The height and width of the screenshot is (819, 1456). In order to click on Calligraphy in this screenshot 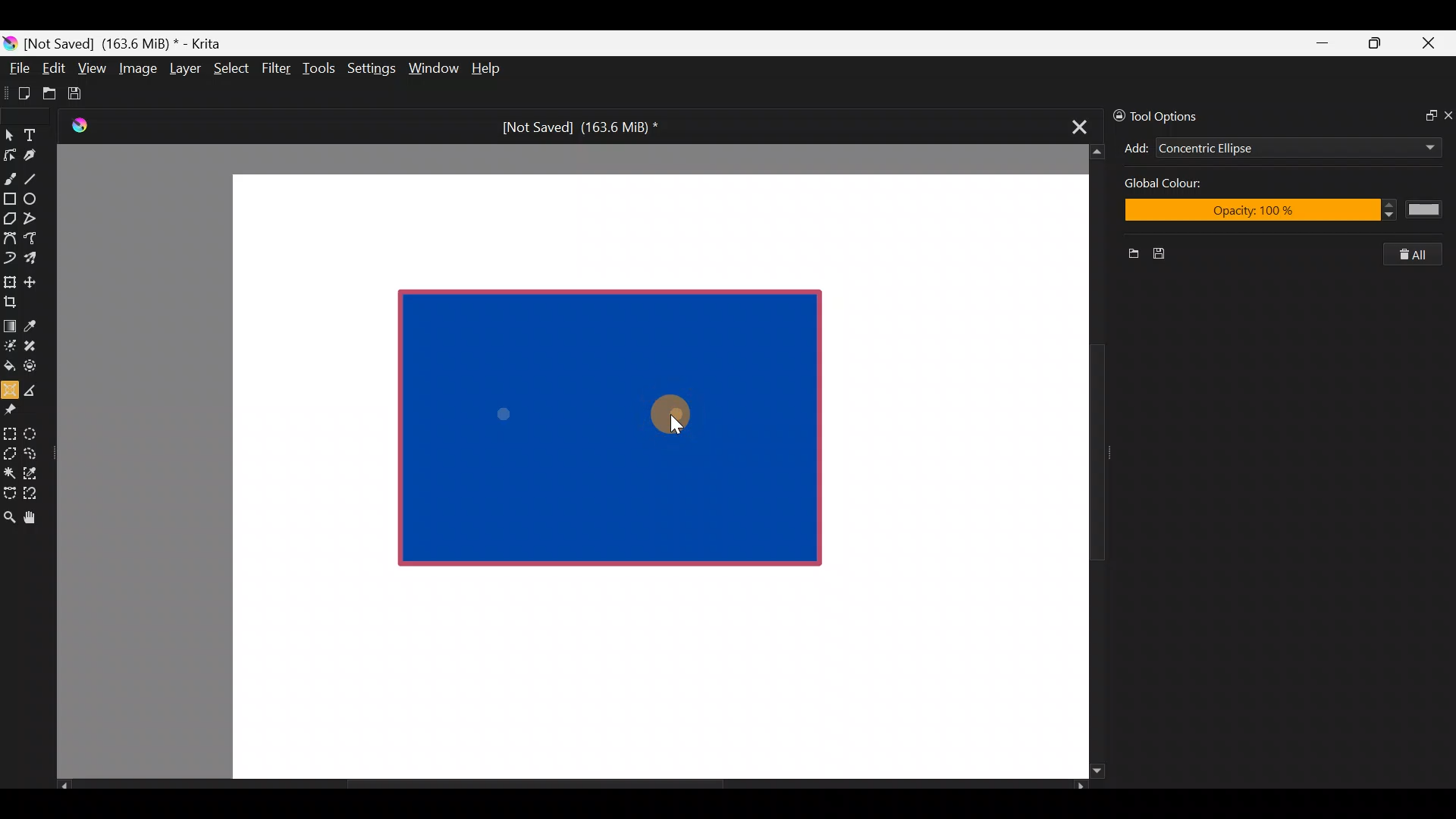, I will do `click(41, 158)`.